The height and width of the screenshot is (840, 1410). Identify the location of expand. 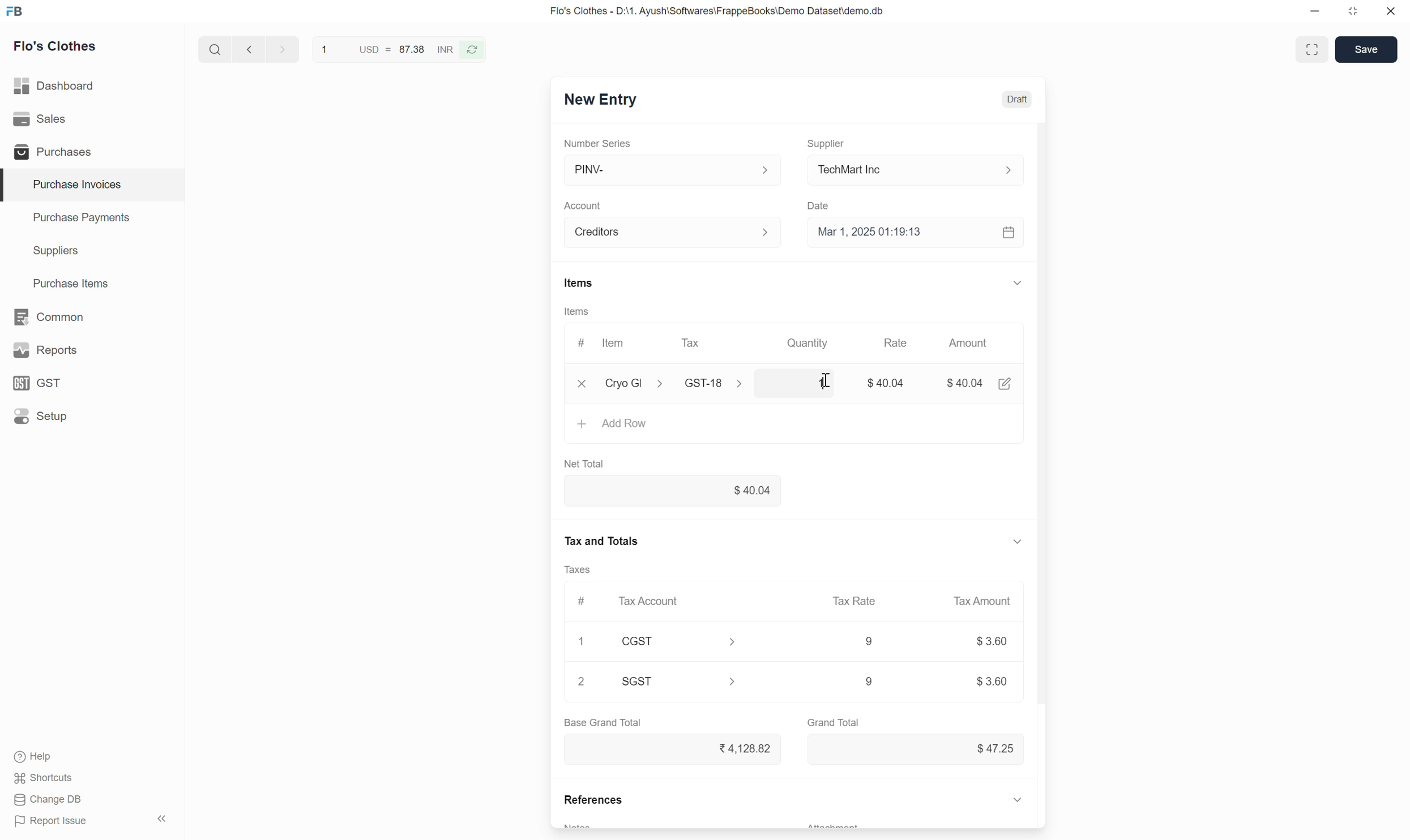
(1026, 282).